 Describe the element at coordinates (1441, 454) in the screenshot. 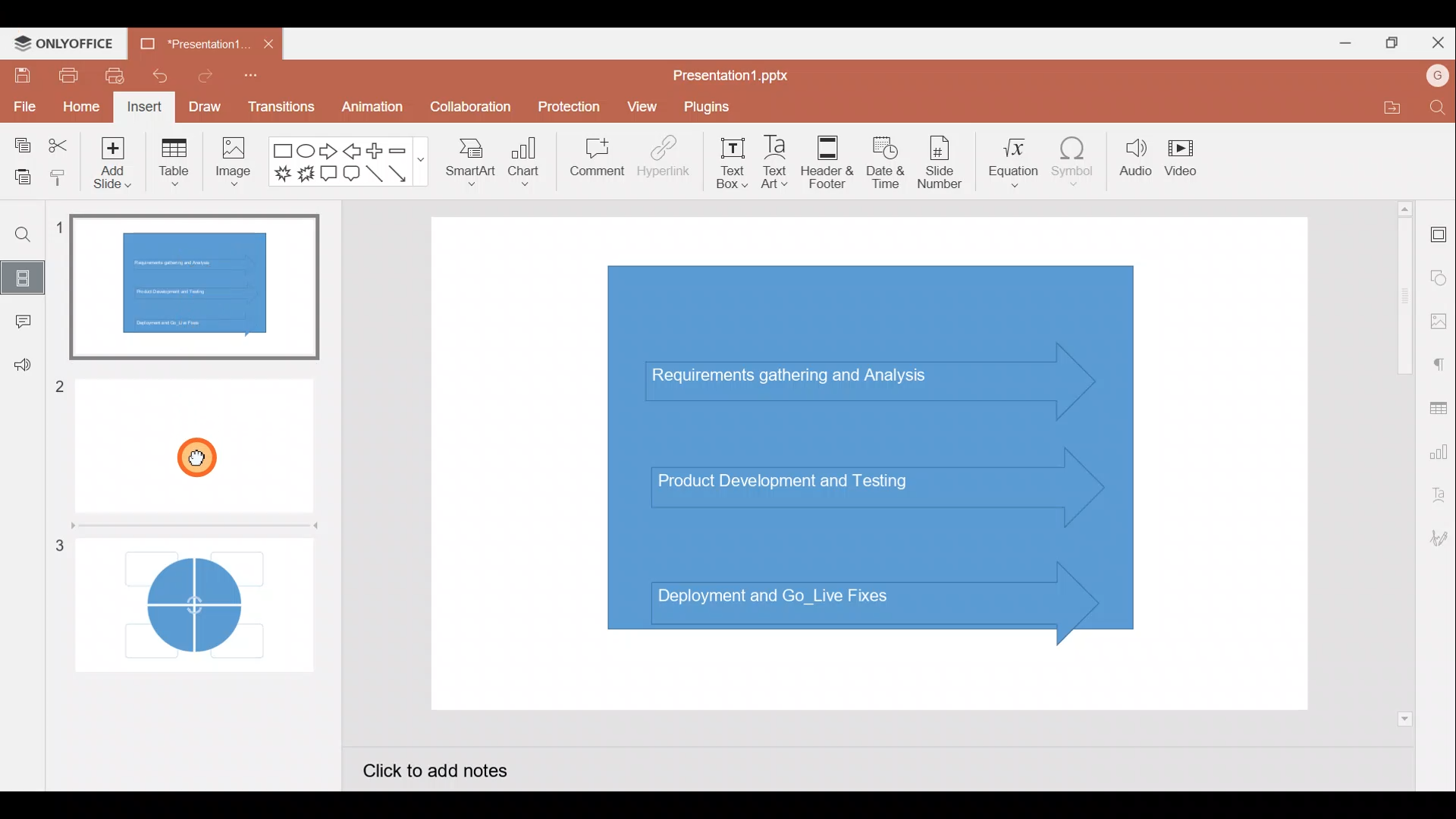

I see `Chart settings` at that location.